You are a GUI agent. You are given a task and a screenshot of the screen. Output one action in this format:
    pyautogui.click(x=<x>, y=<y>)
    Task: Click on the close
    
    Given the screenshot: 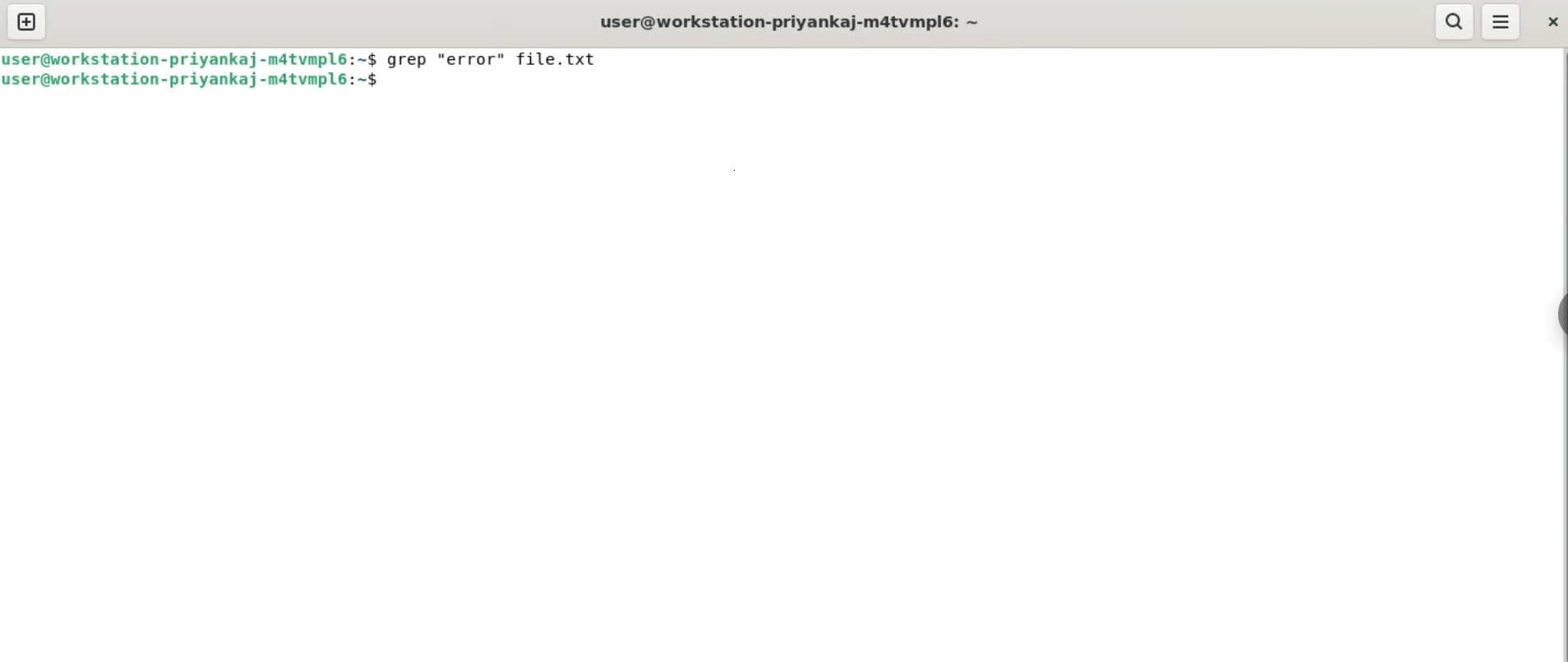 What is the action you would take?
    pyautogui.click(x=1551, y=22)
    